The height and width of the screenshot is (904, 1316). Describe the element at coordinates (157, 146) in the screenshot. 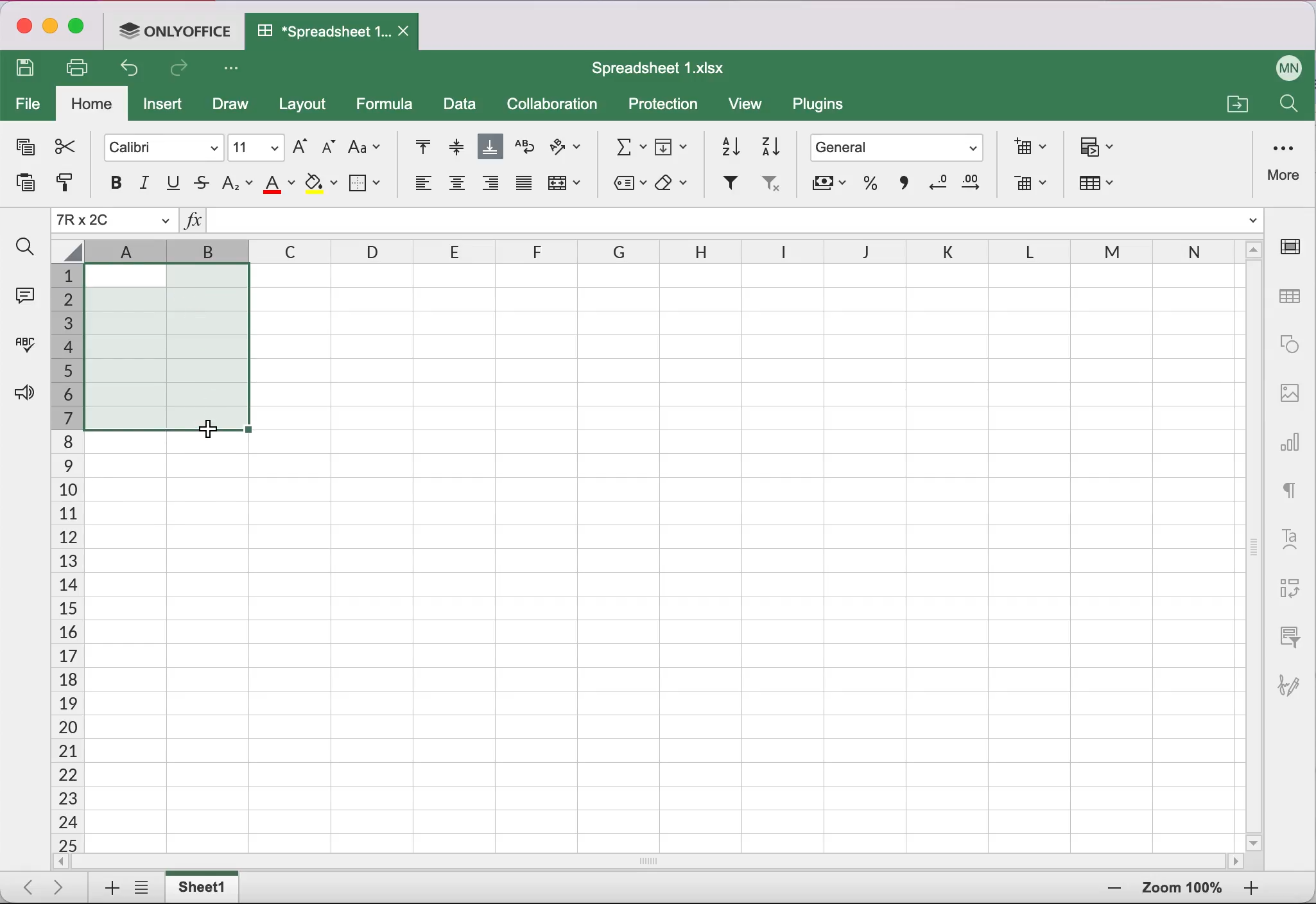

I see `font type calibri` at that location.